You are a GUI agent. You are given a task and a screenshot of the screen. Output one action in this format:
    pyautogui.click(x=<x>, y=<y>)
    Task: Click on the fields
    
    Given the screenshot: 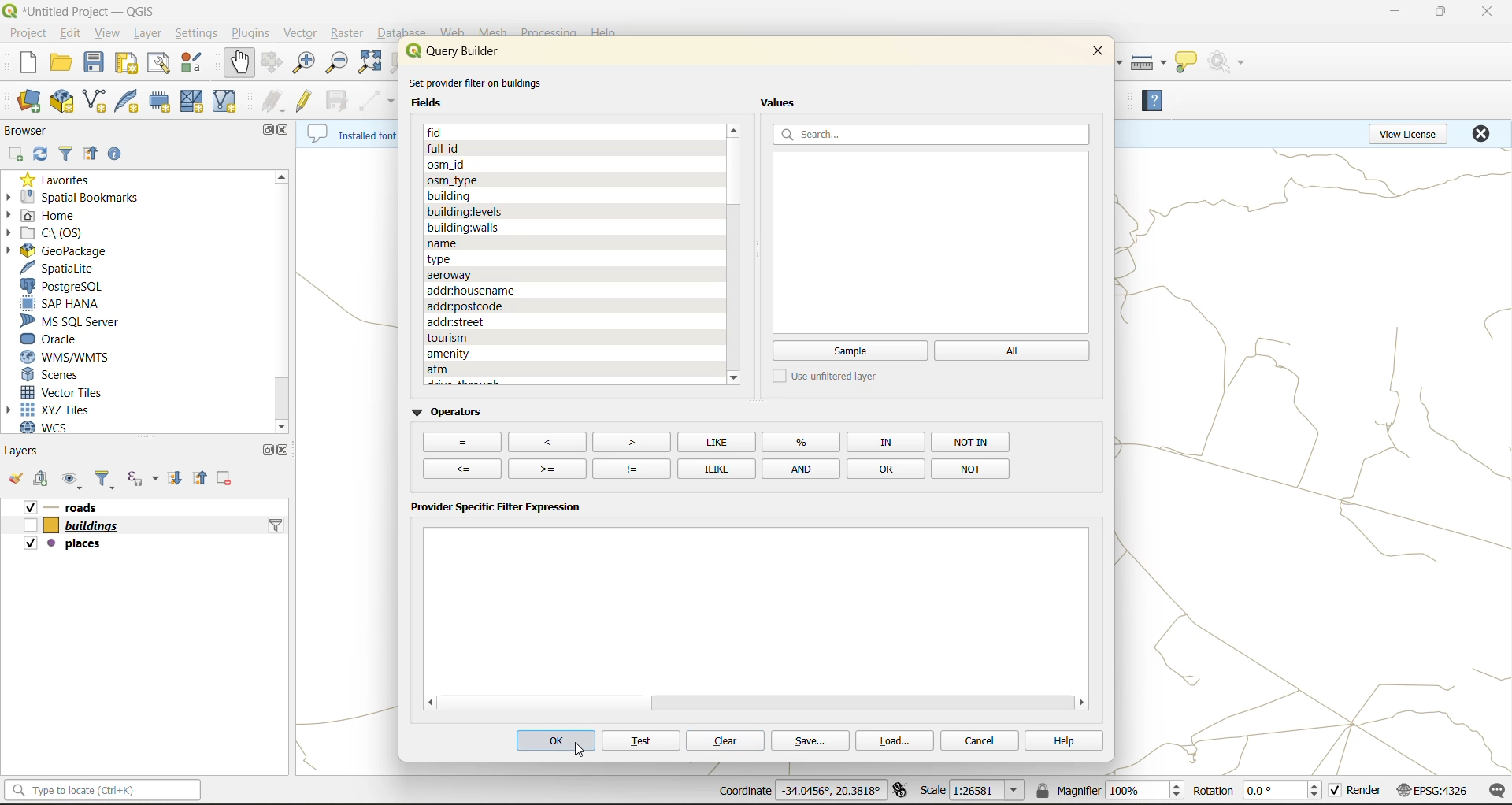 What is the action you would take?
    pyautogui.click(x=455, y=273)
    